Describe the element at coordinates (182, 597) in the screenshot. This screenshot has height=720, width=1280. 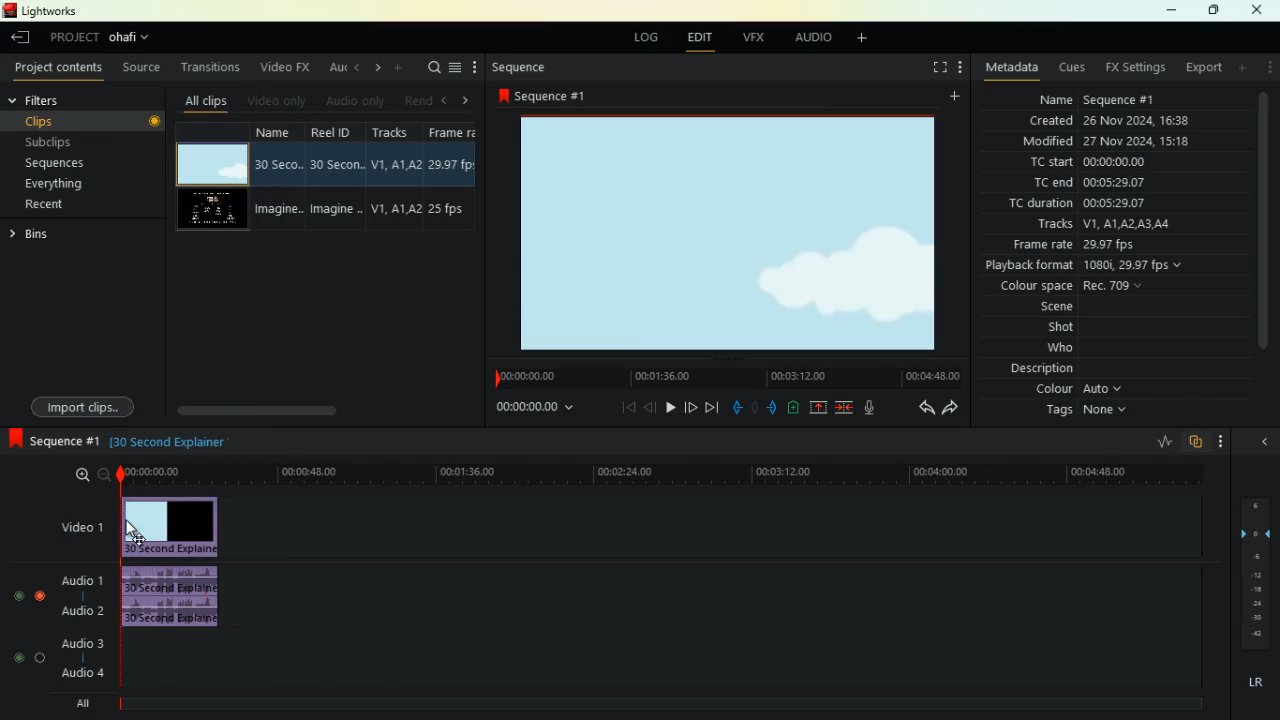
I see `audio` at that location.